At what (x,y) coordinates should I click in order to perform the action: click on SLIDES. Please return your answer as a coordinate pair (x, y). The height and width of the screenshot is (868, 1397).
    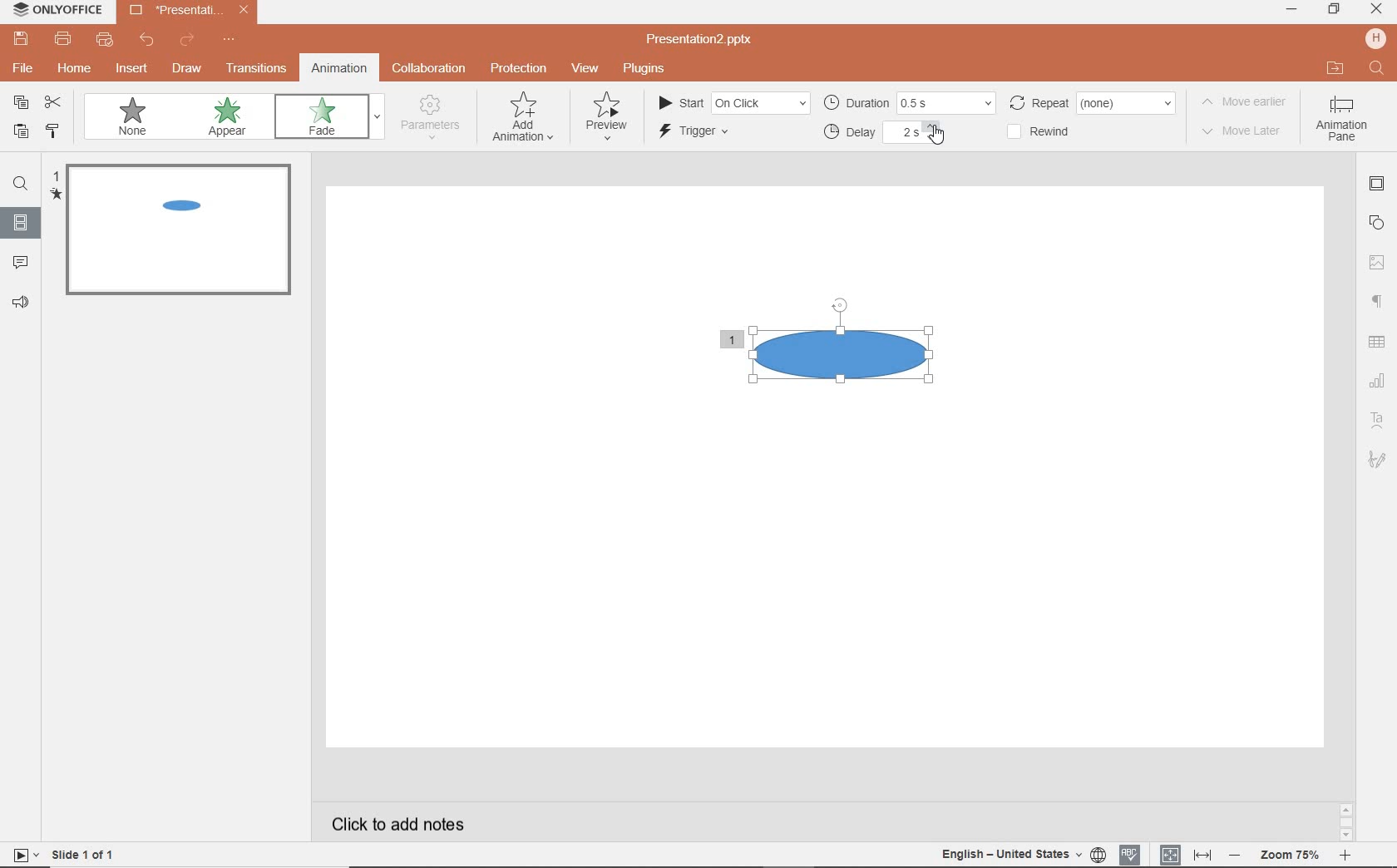
    Looking at the image, I should click on (20, 227).